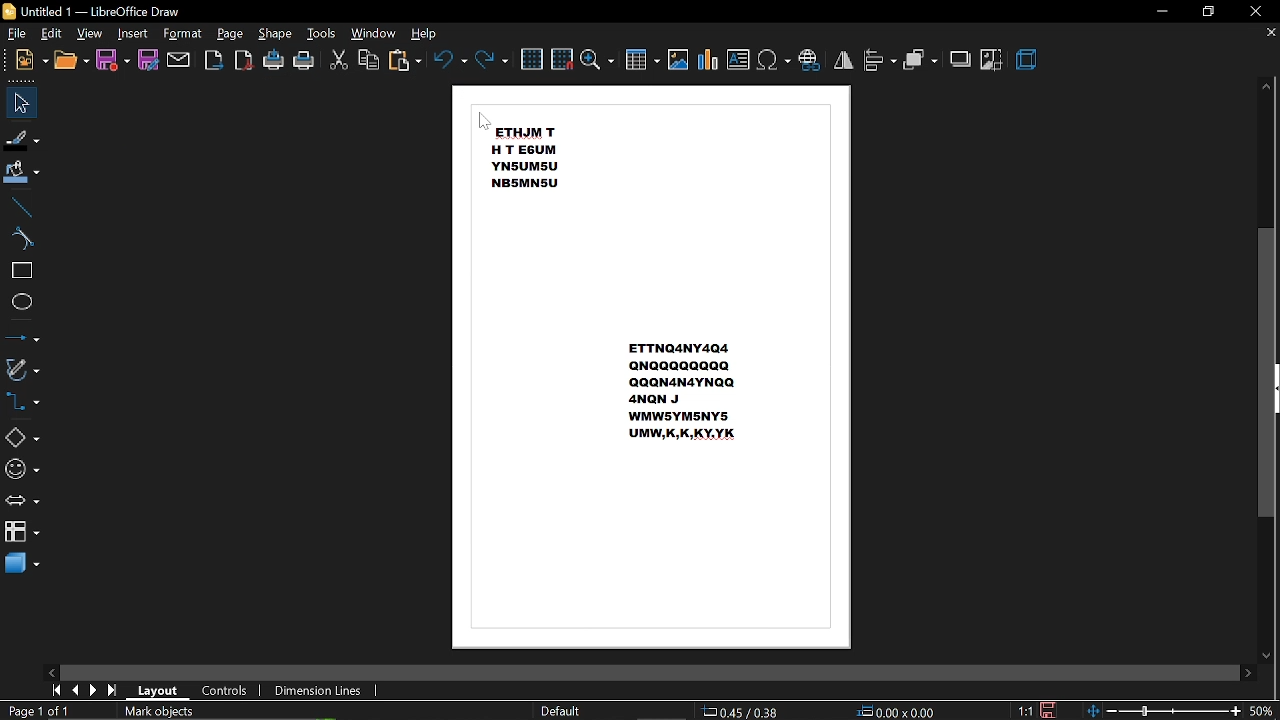  Describe the element at coordinates (24, 369) in the screenshot. I see `curves and polygons` at that location.